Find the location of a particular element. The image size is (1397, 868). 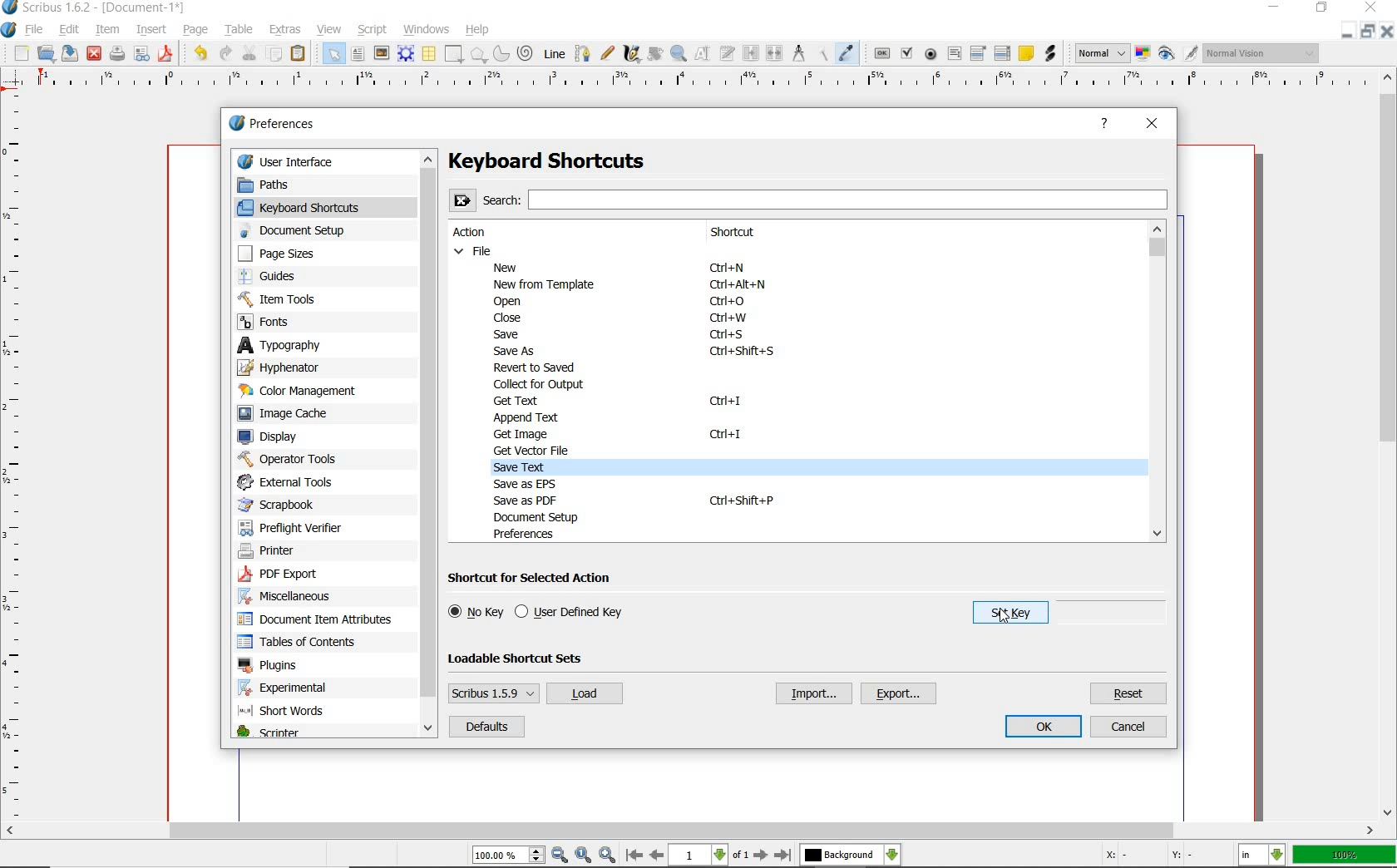

arc is located at coordinates (500, 55).